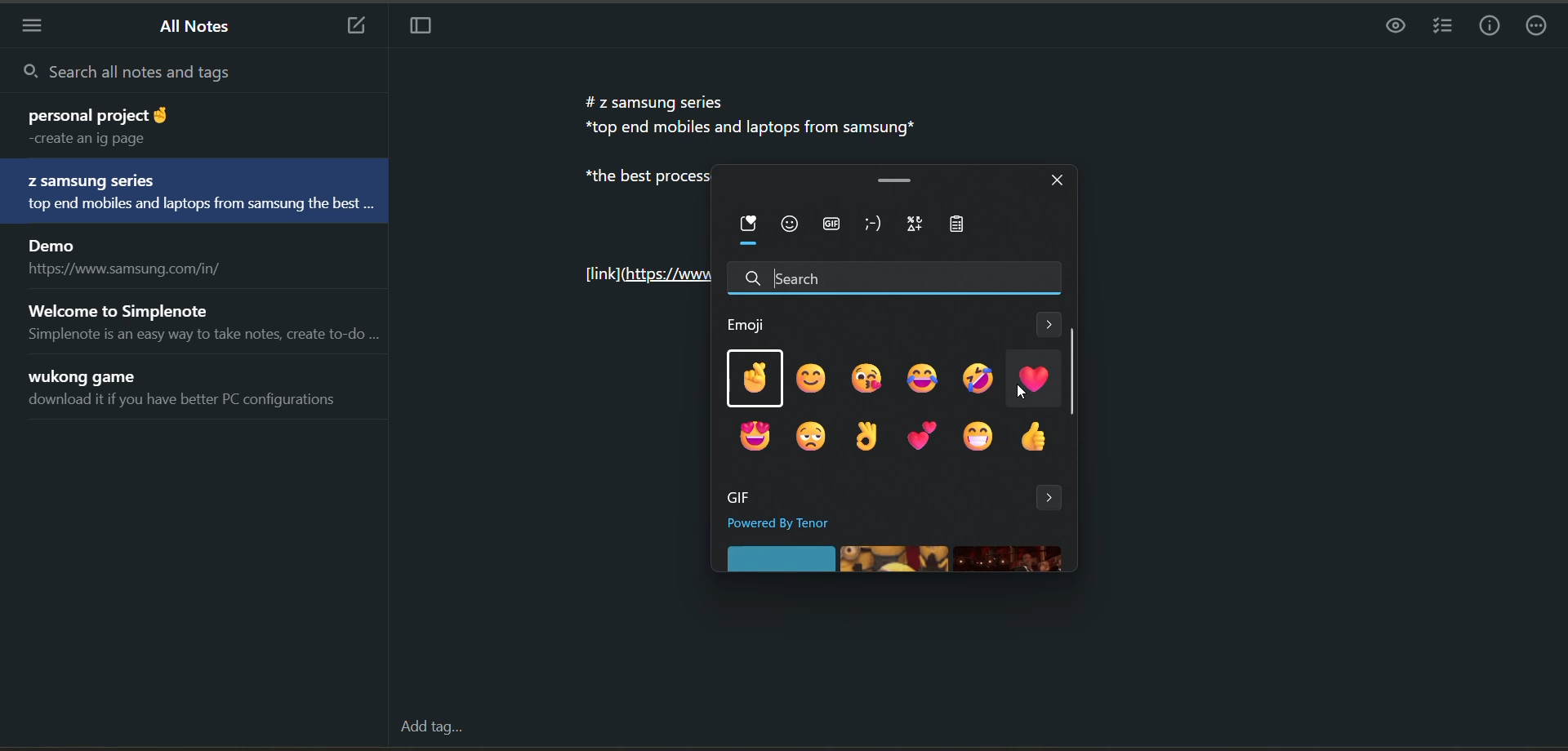  Describe the element at coordinates (1052, 497) in the screenshot. I see `see more` at that location.